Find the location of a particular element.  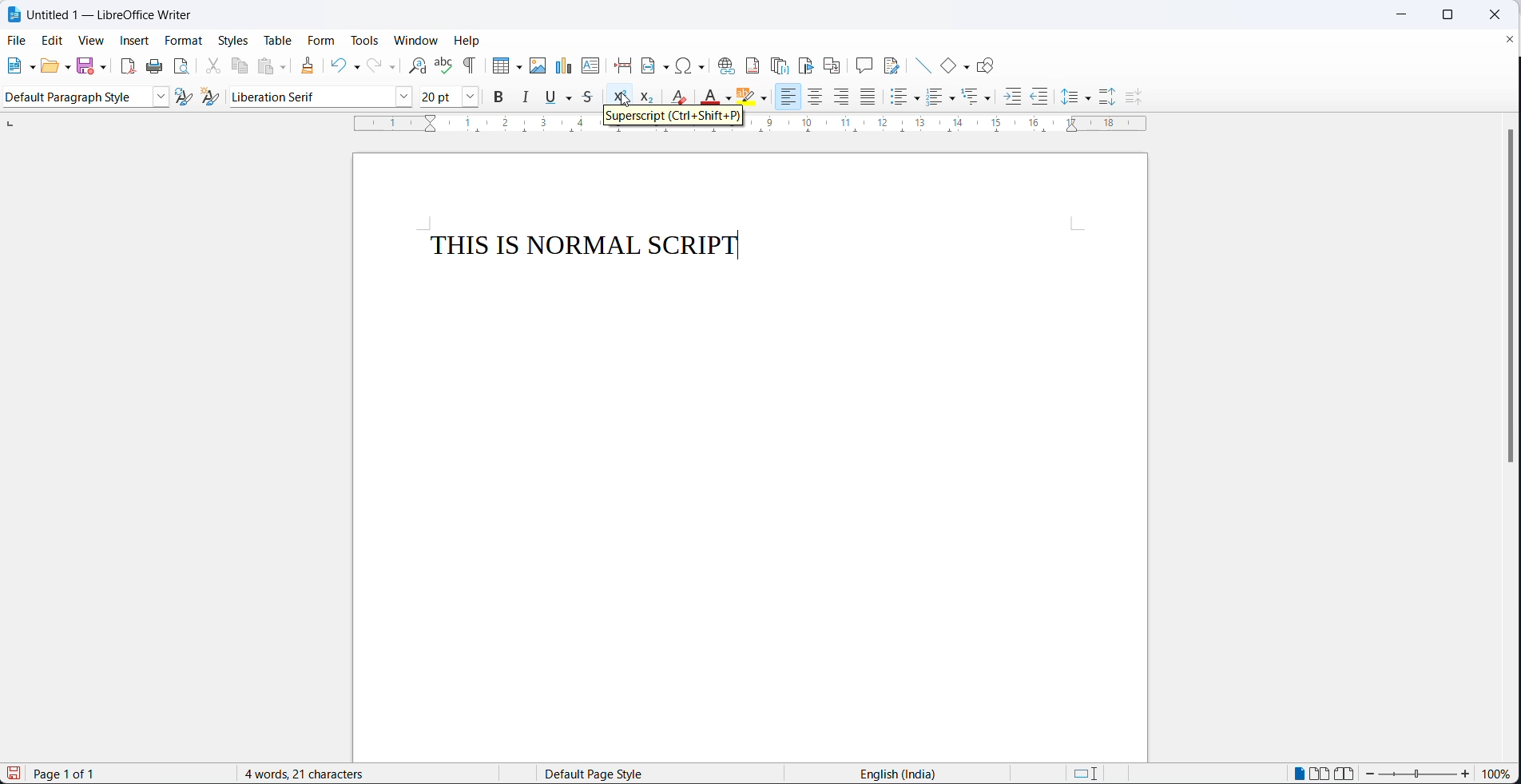

insert cross-reference is located at coordinates (832, 63).